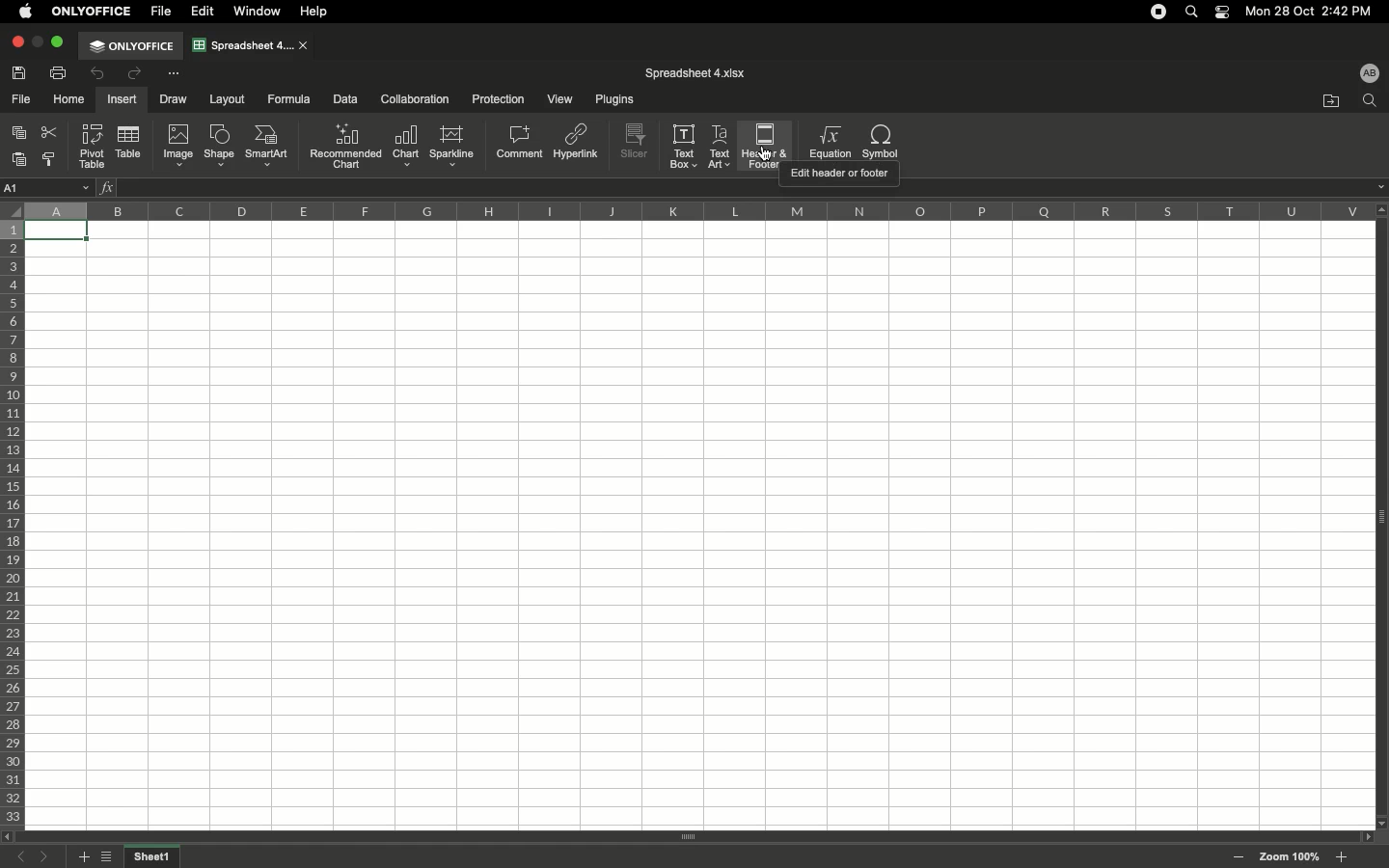 The height and width of the screenshot is (868, 1389). I want to click on Scroll, so click(688, 838).